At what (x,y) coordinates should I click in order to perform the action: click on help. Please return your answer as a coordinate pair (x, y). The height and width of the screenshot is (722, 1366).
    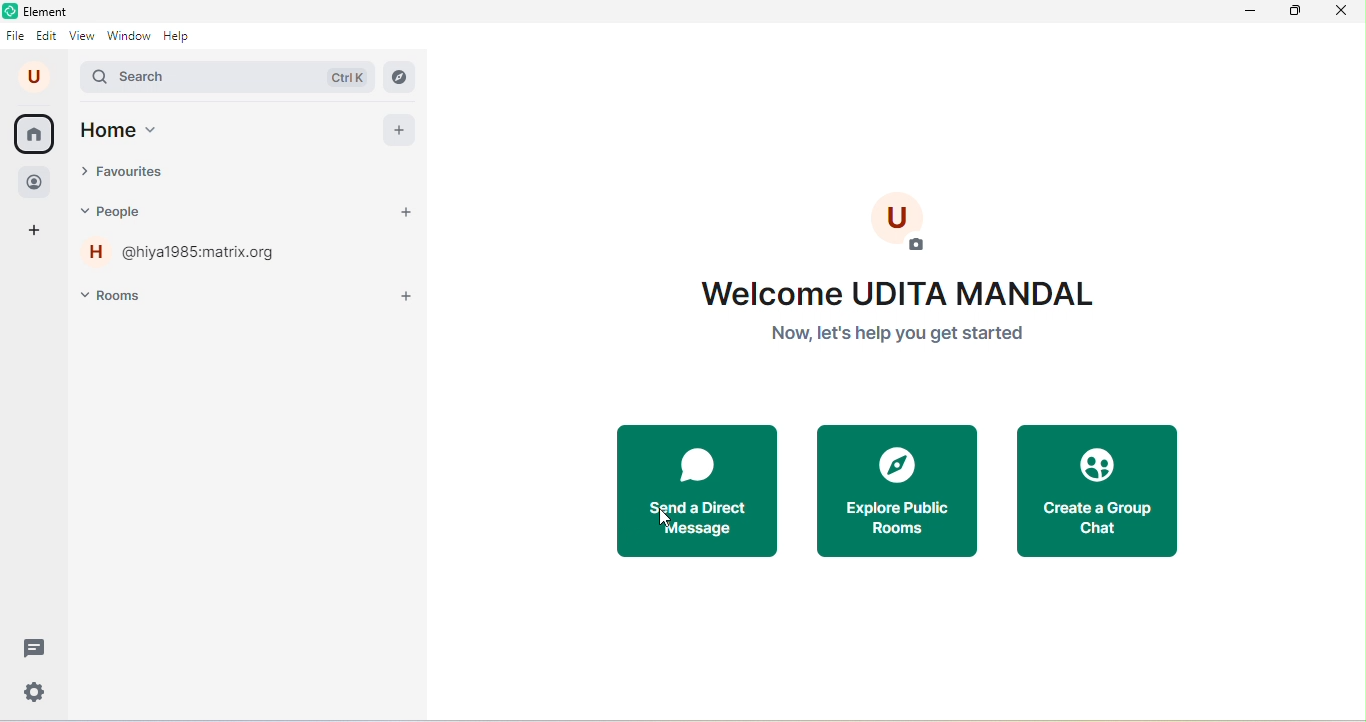
    Looking at the image, I should click on (182, 36).